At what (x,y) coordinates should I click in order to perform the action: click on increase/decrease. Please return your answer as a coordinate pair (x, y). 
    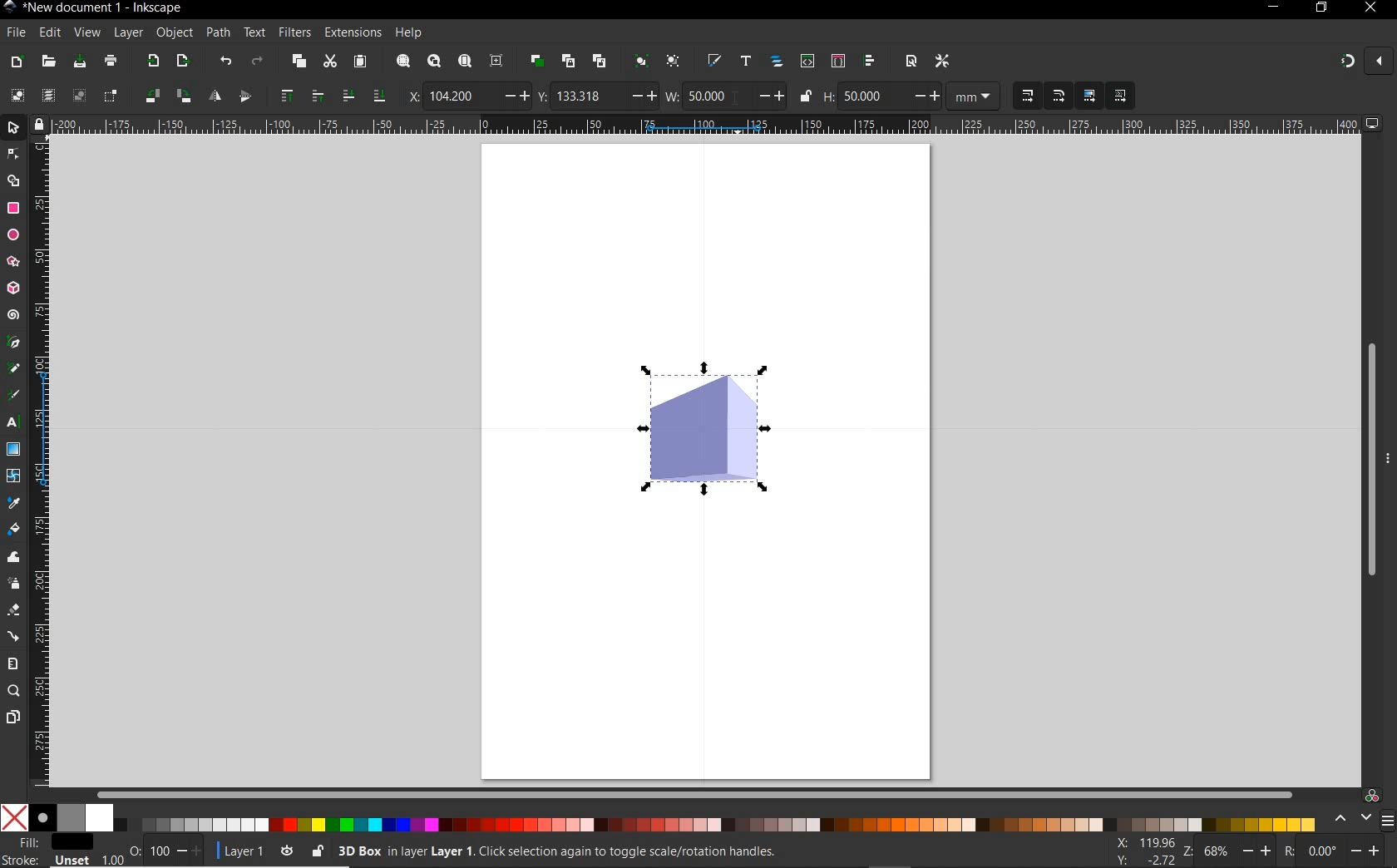
    Looking at the image, I should click on (926, 96).